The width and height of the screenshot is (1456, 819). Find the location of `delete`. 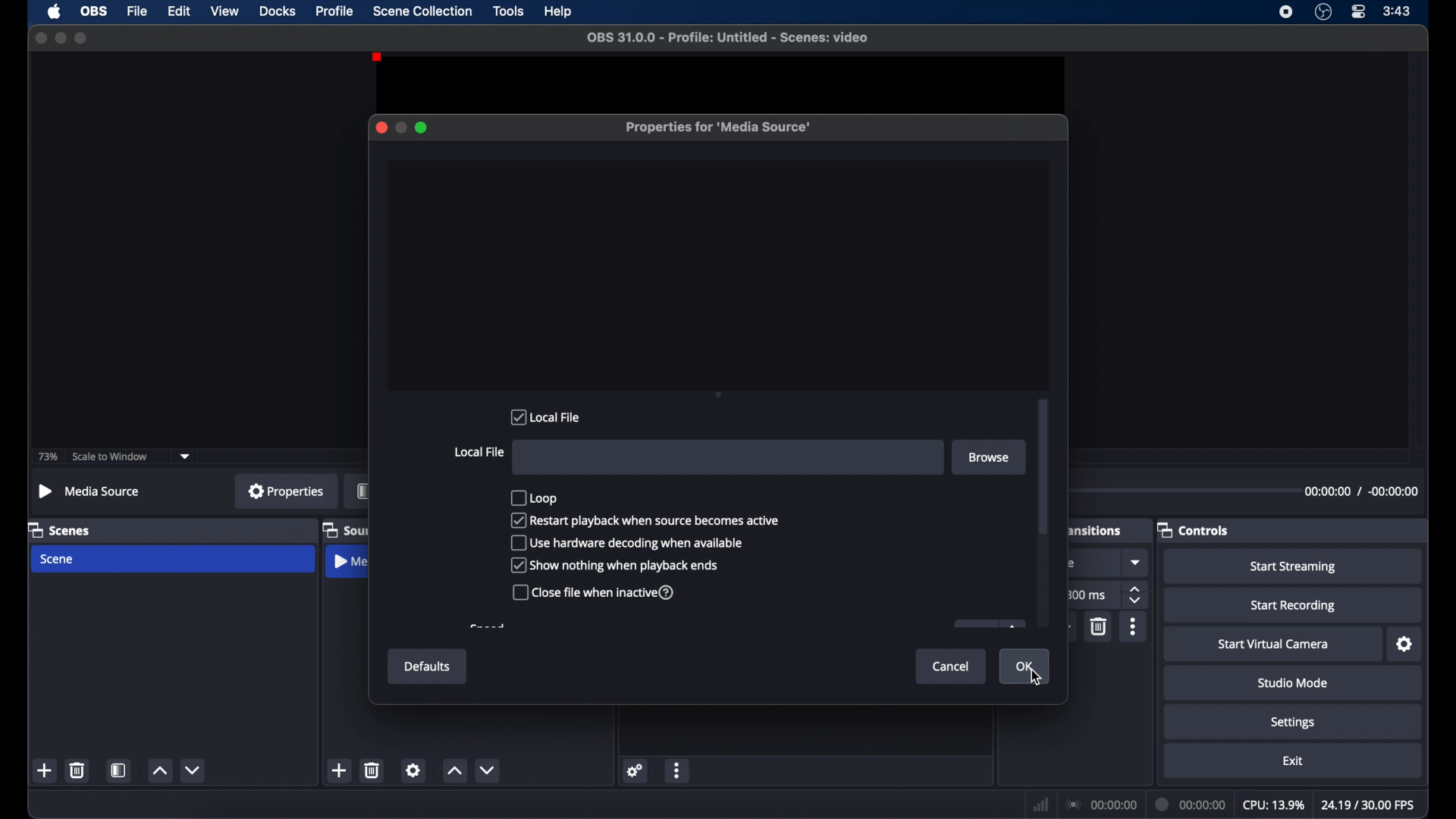

delete is located at coordinates (77, 770).